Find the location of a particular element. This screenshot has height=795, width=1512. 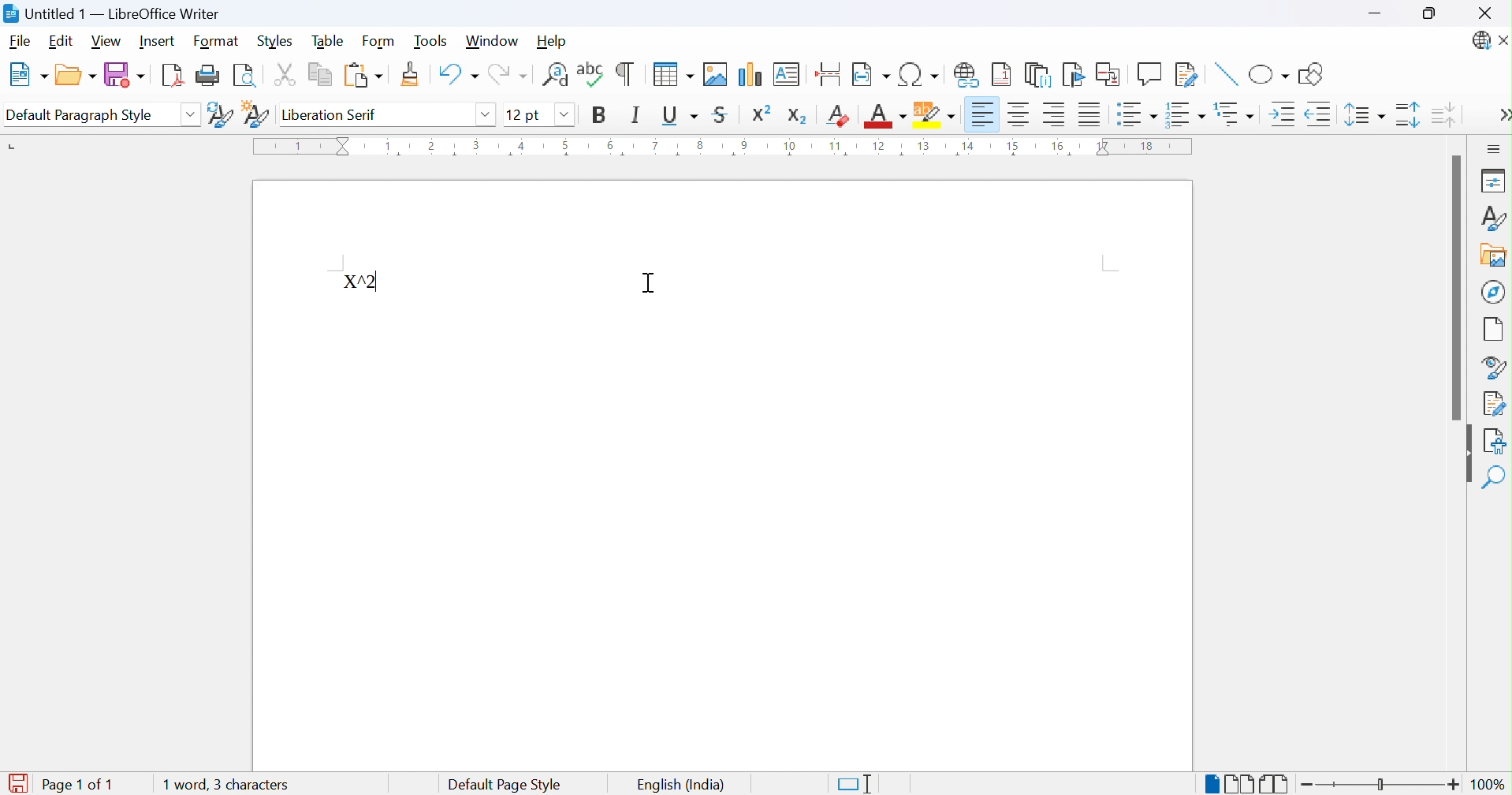

Sidebar settings is located at coordinates (1495, 151).